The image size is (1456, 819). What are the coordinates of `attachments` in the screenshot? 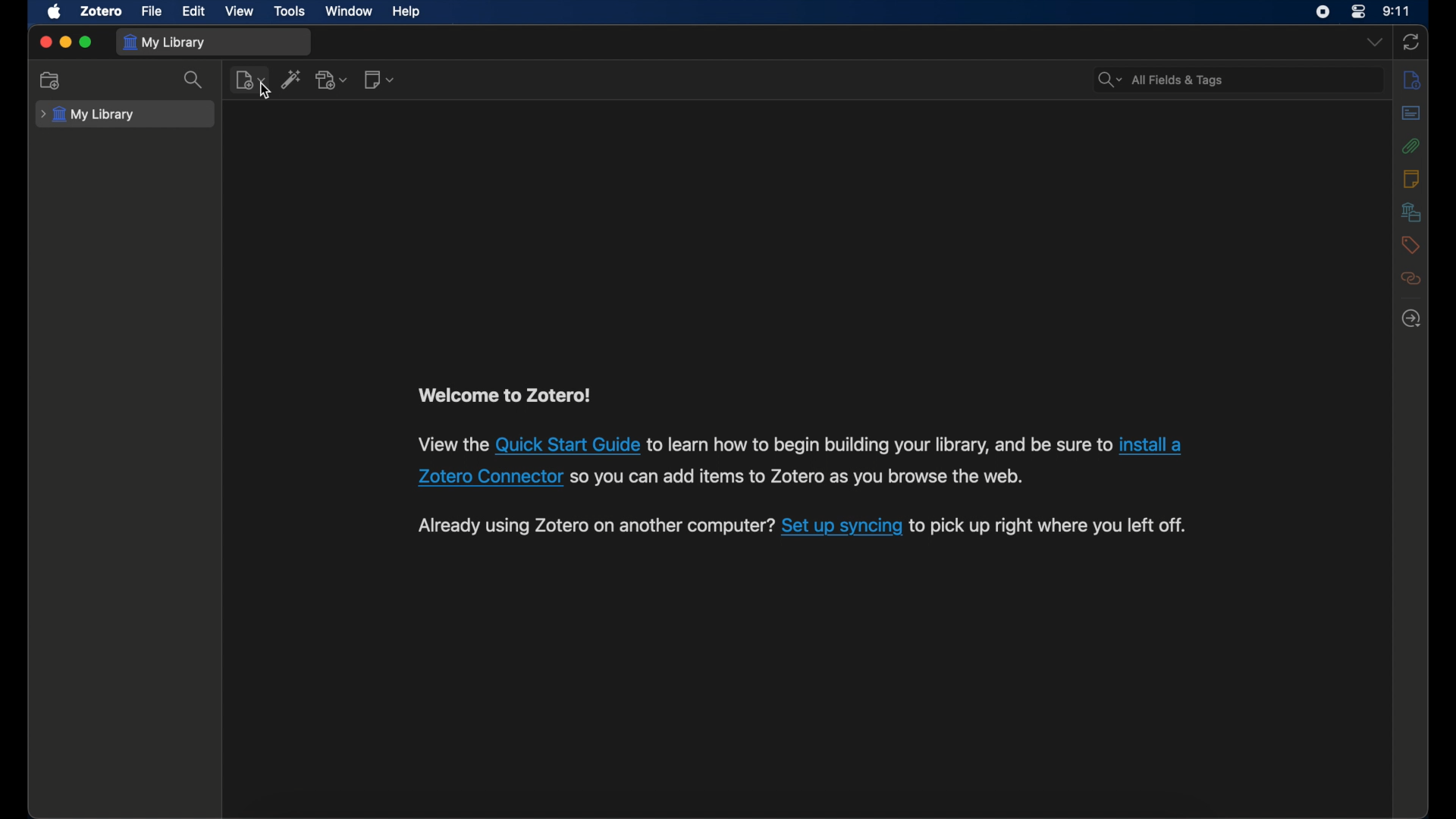 It's located at (1410, 146).